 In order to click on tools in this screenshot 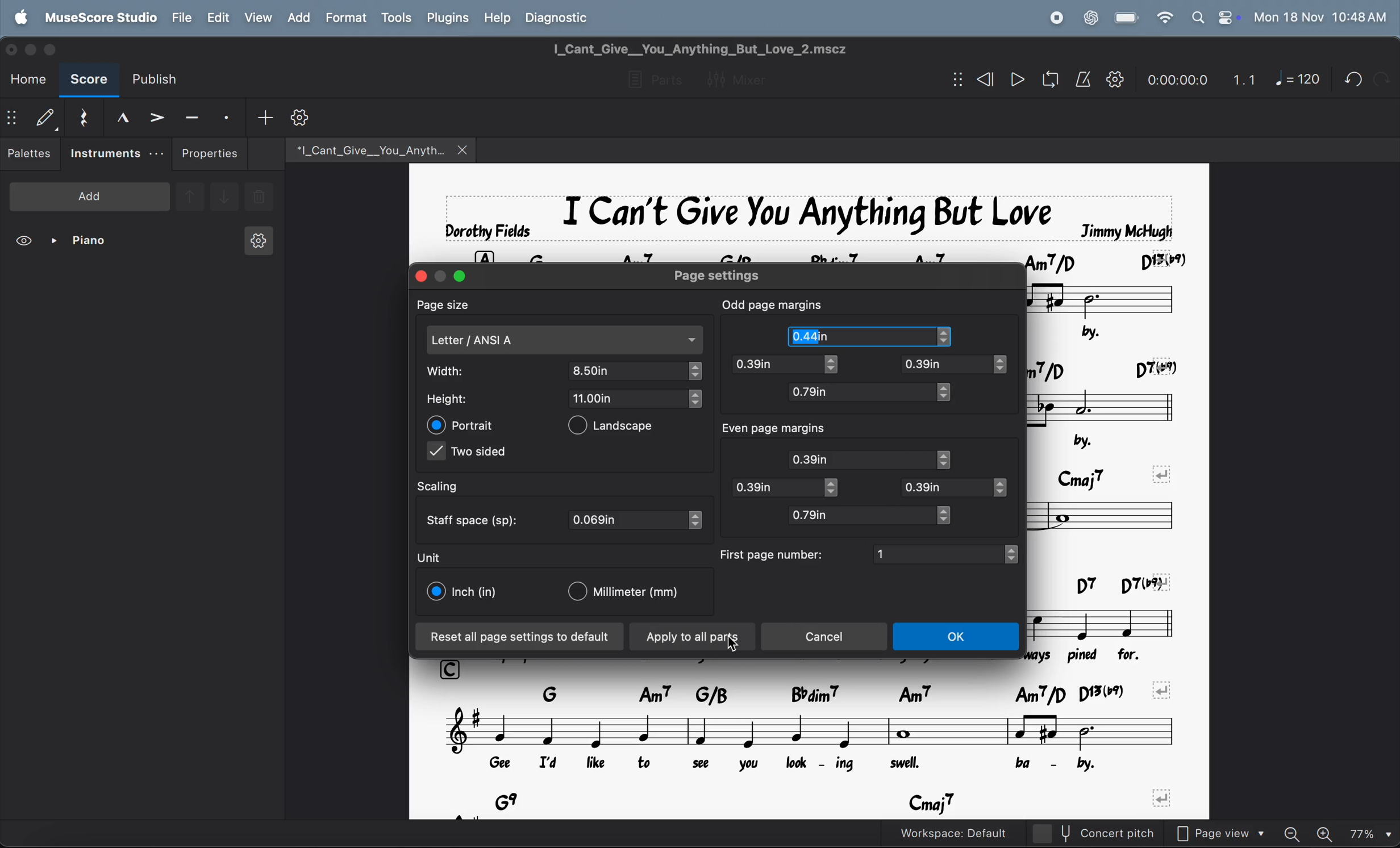, I will do `click(396, 19)`.